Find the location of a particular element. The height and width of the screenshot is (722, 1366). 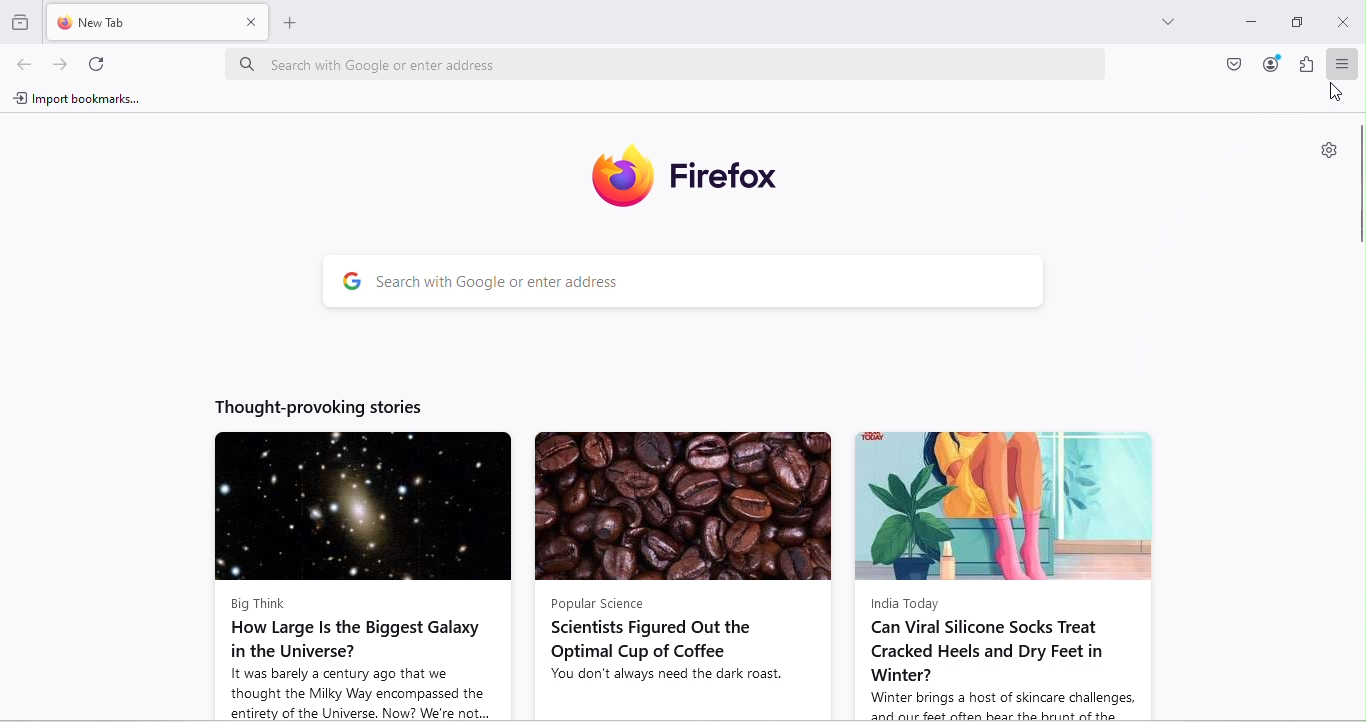

Search bar is located at coordinates (670, 65).